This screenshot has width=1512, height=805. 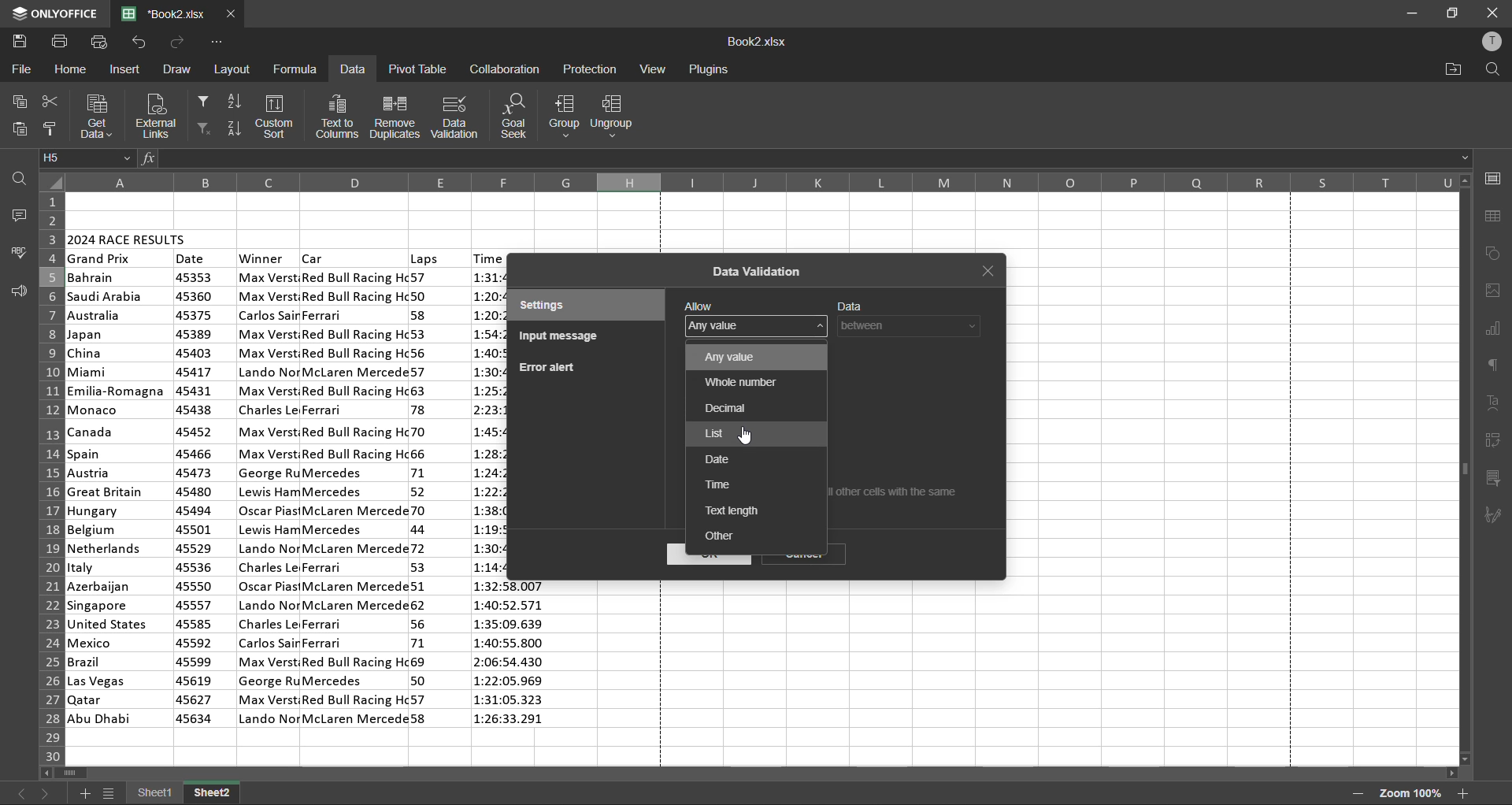 I want to click on paste, so click(x=21, y=128).